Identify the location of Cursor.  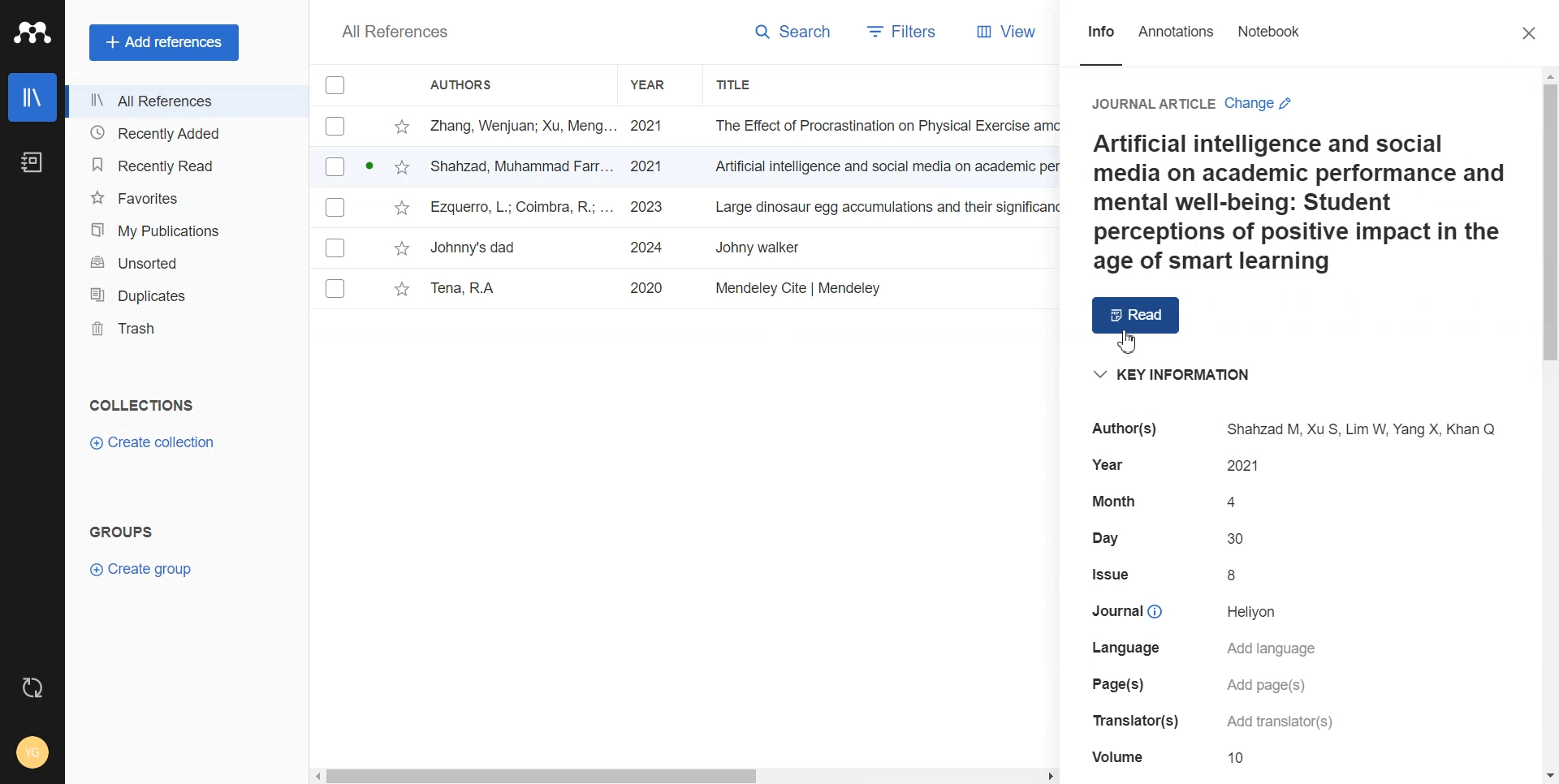
(1124, 343).